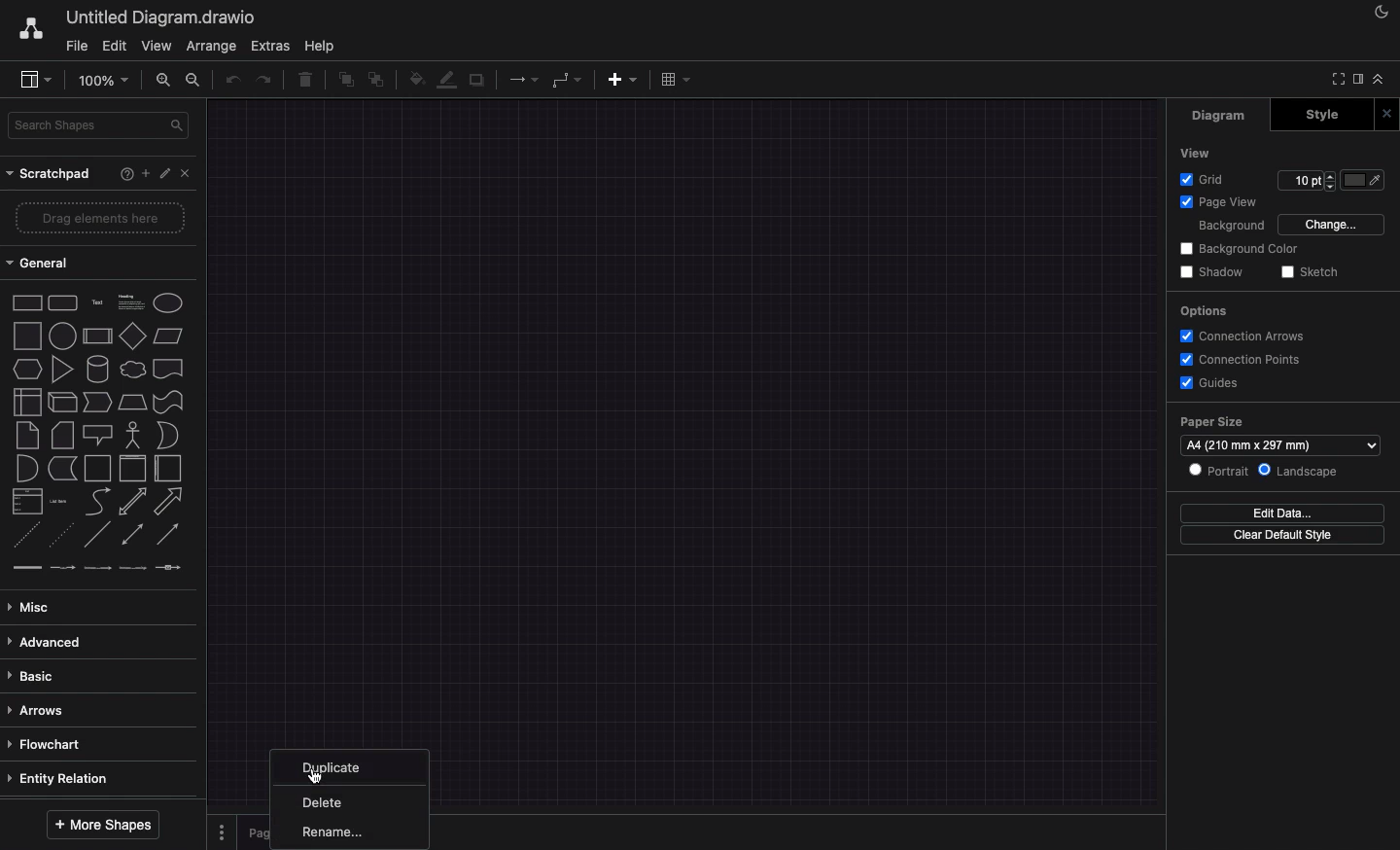  Describe the element at coordinates (1211, 383) in the screenshot. I see `guides` at that location.